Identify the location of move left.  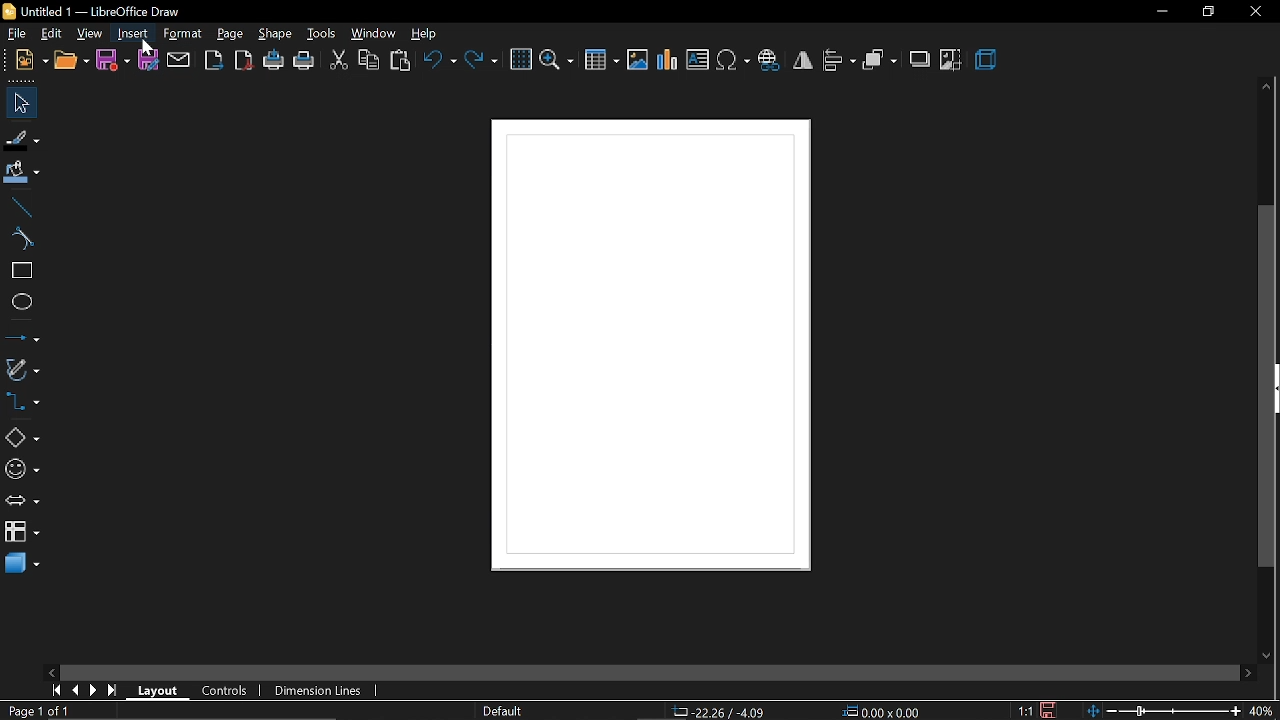
(51, 672).